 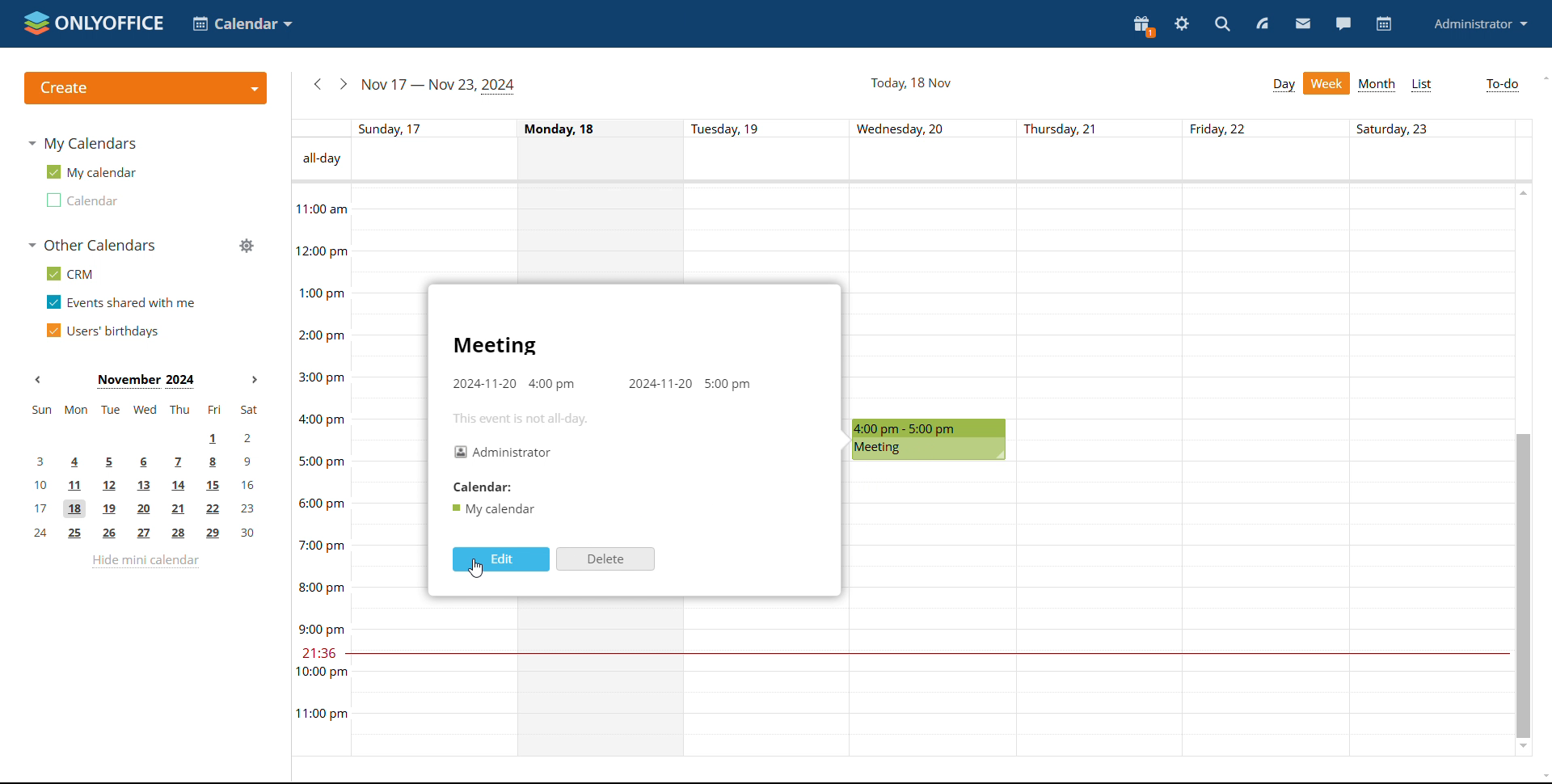 What do you see at coordinates (1522, 585) in the screenshot?
I see `scrollbar` at bounding box center [1522, 585].